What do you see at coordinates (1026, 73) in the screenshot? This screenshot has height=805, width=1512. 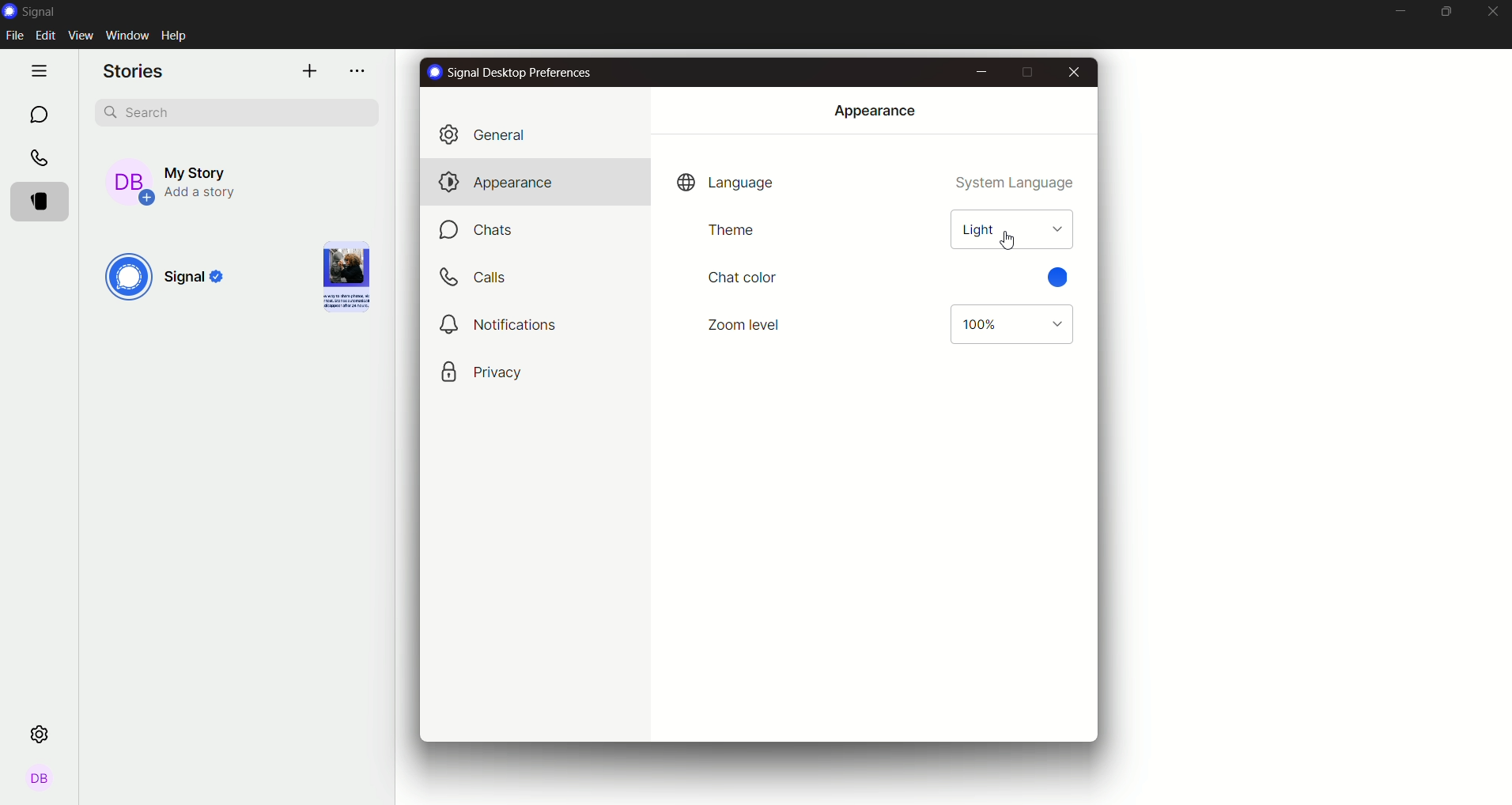 I see `maximize` at bounding box center [1026, 73].